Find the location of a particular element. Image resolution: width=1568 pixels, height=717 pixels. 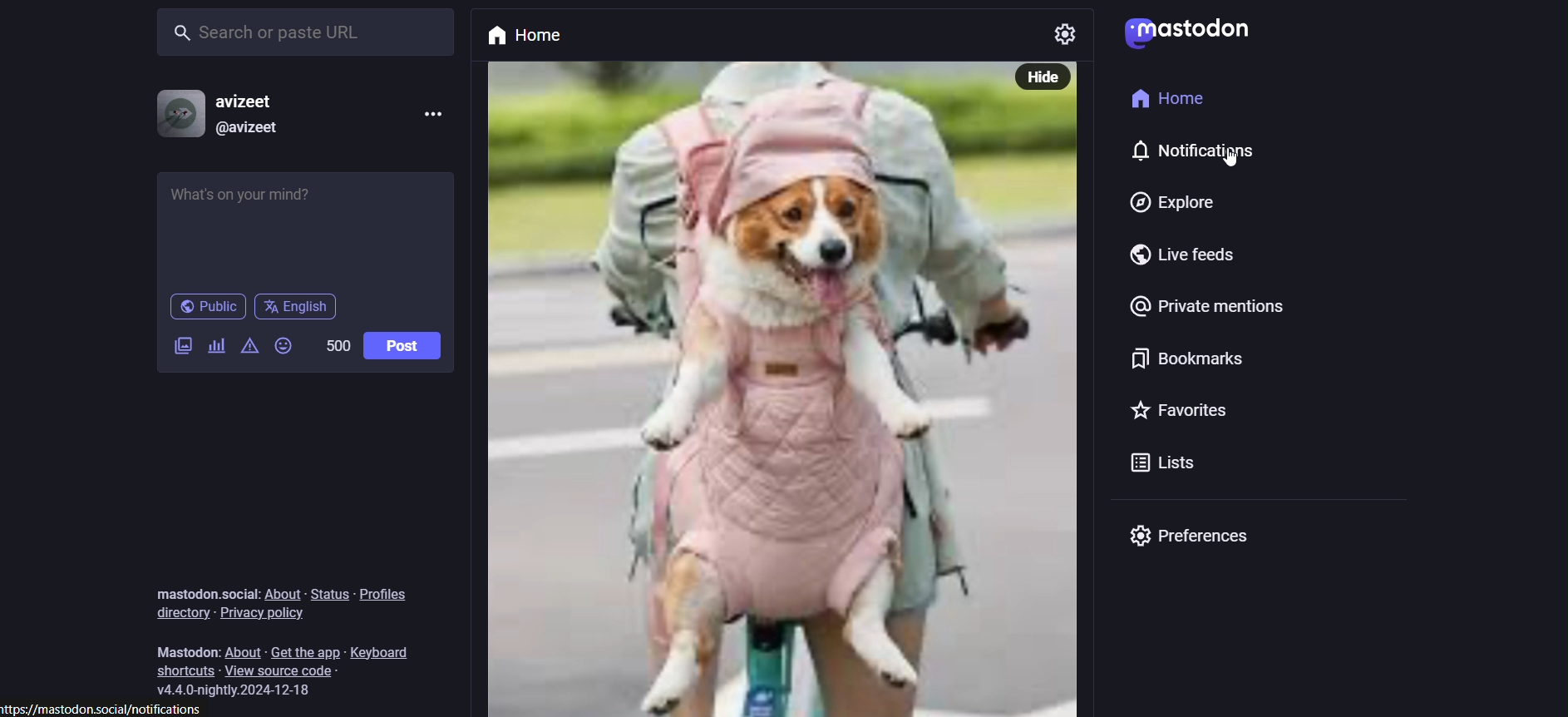

add poll is located at coordinates (217, 347).